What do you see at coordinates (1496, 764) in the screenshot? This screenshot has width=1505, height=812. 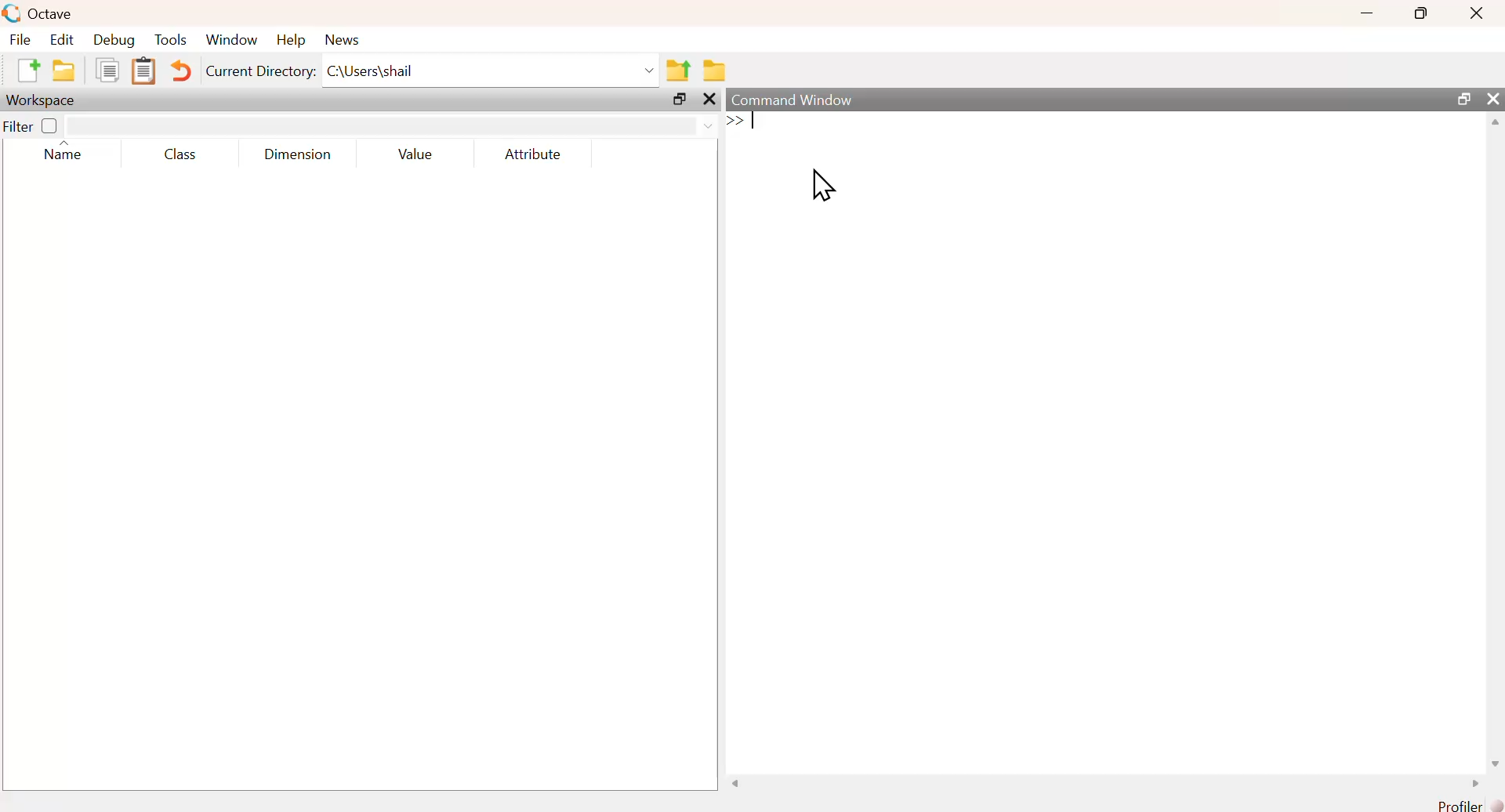 I see `scroll down` at bounding box center [1496, 764].